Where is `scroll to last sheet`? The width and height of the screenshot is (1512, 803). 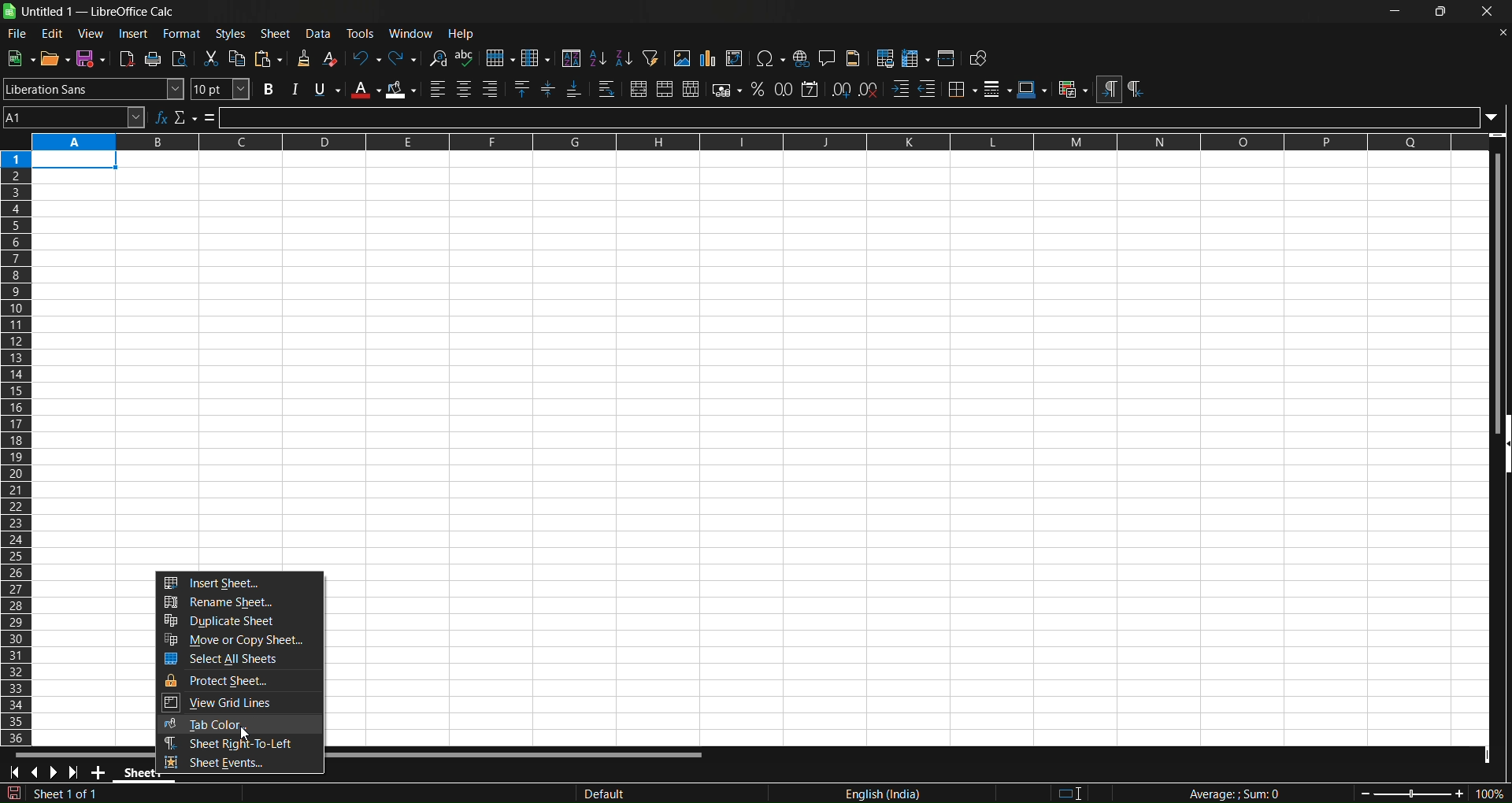 scroll to last sheet is located at coordinates (77, 772).